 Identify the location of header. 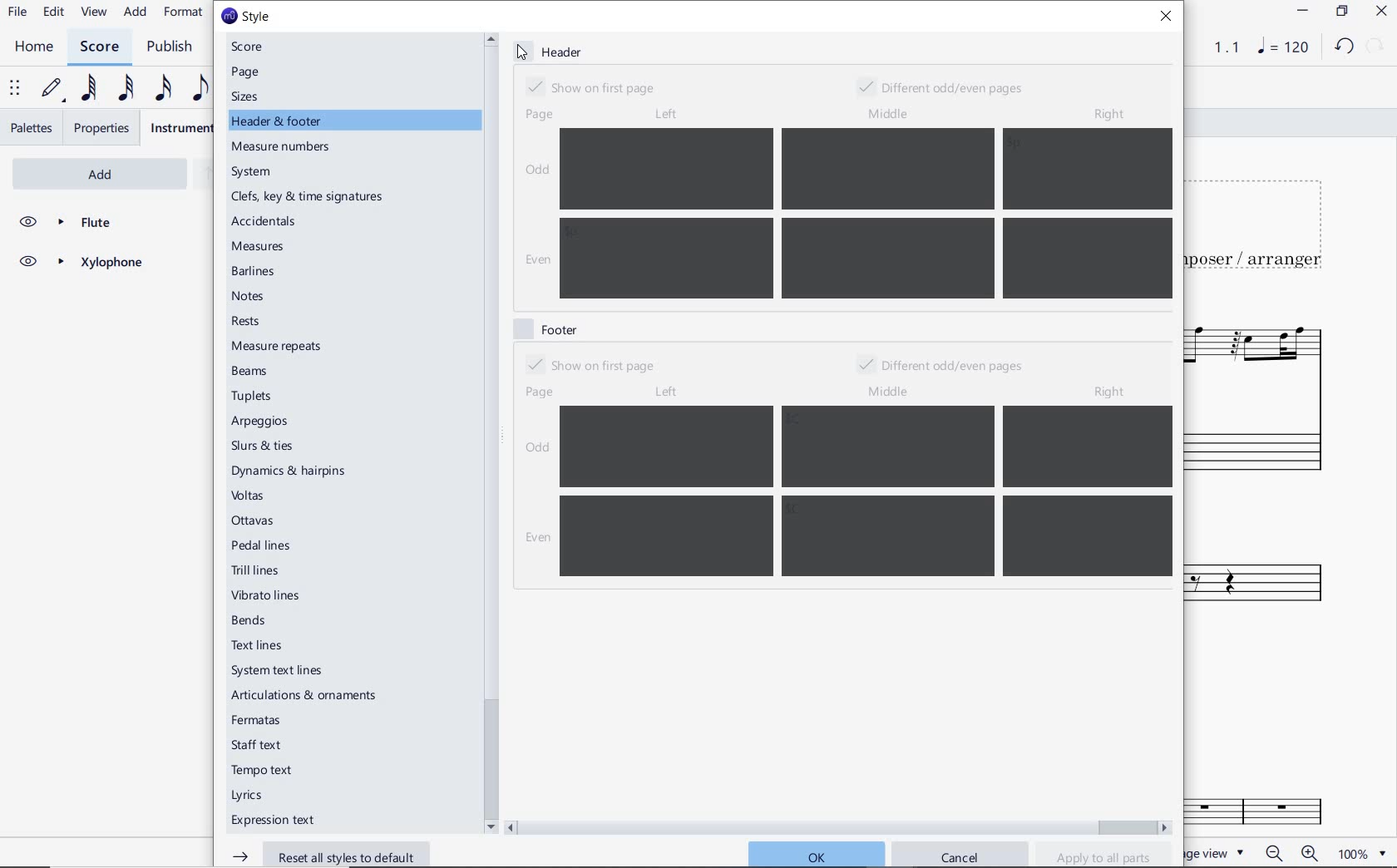
(552, 52).